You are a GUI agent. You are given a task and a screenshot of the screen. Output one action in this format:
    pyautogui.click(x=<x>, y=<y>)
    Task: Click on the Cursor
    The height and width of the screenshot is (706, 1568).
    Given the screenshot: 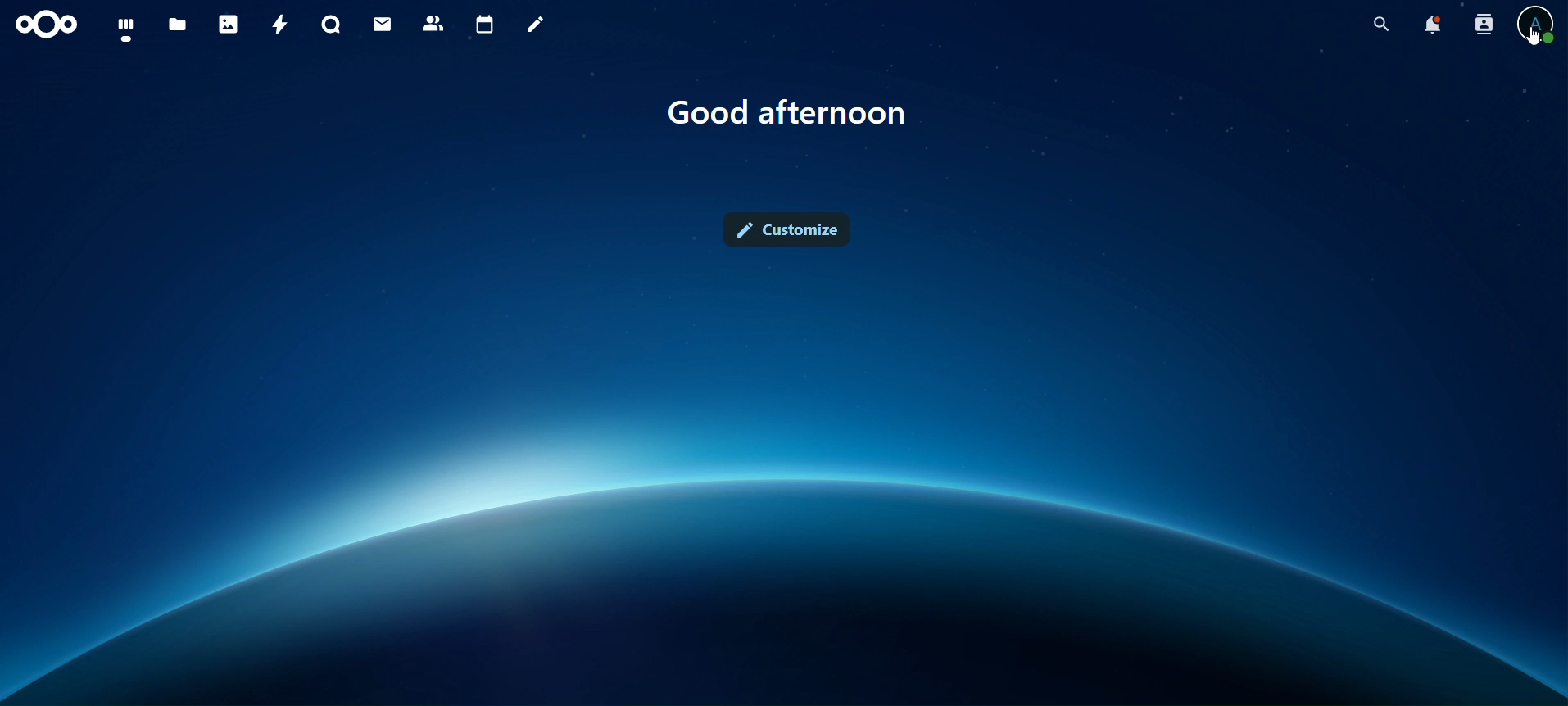 What is the action you would take?
    pyautogui.click(x=1533, y=40)
    